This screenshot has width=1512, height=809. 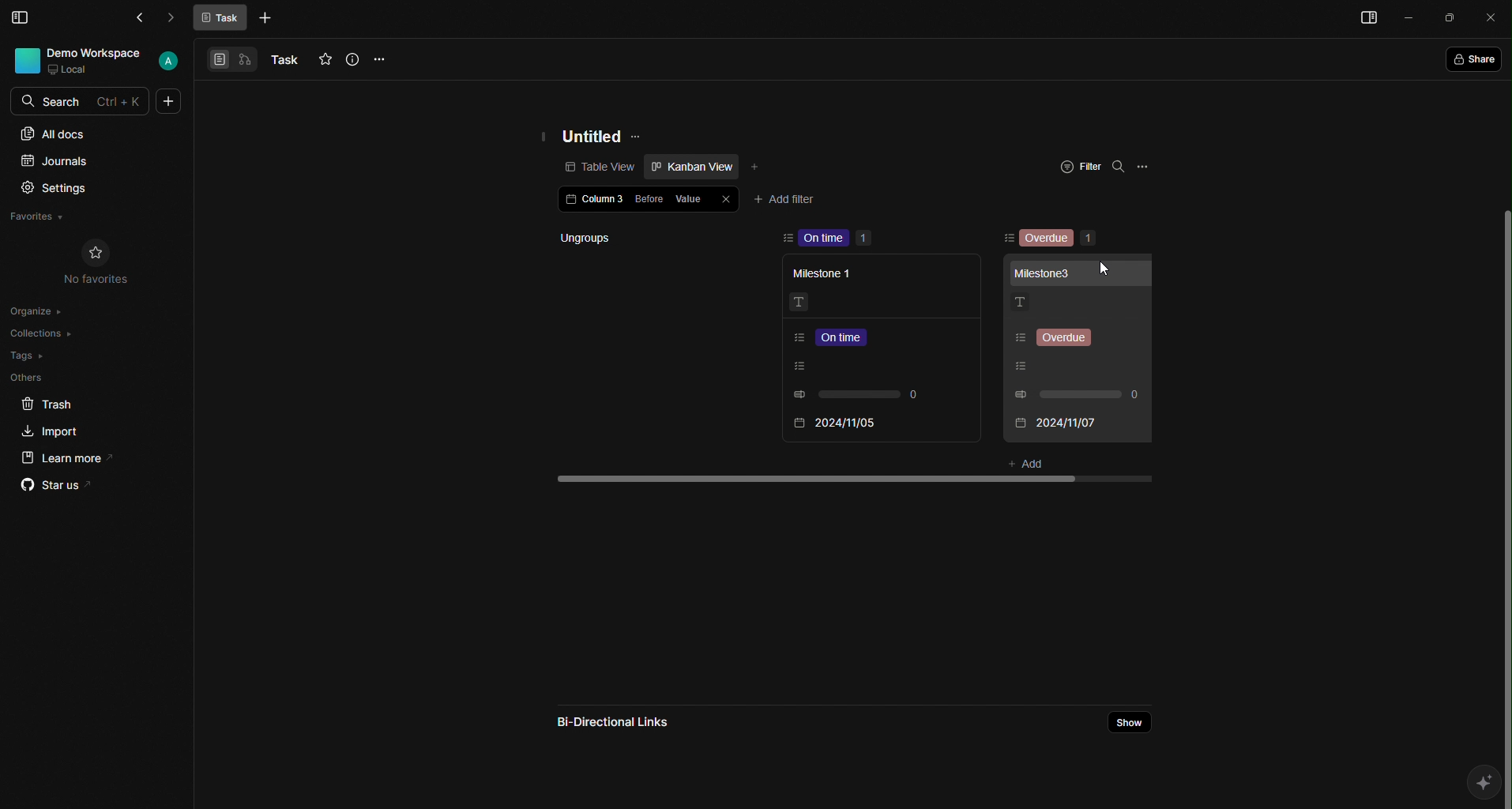 What do you see at coordinates (1057, 338) in the screenshot?
I see `Listing` at bounding box center [1057, 338].